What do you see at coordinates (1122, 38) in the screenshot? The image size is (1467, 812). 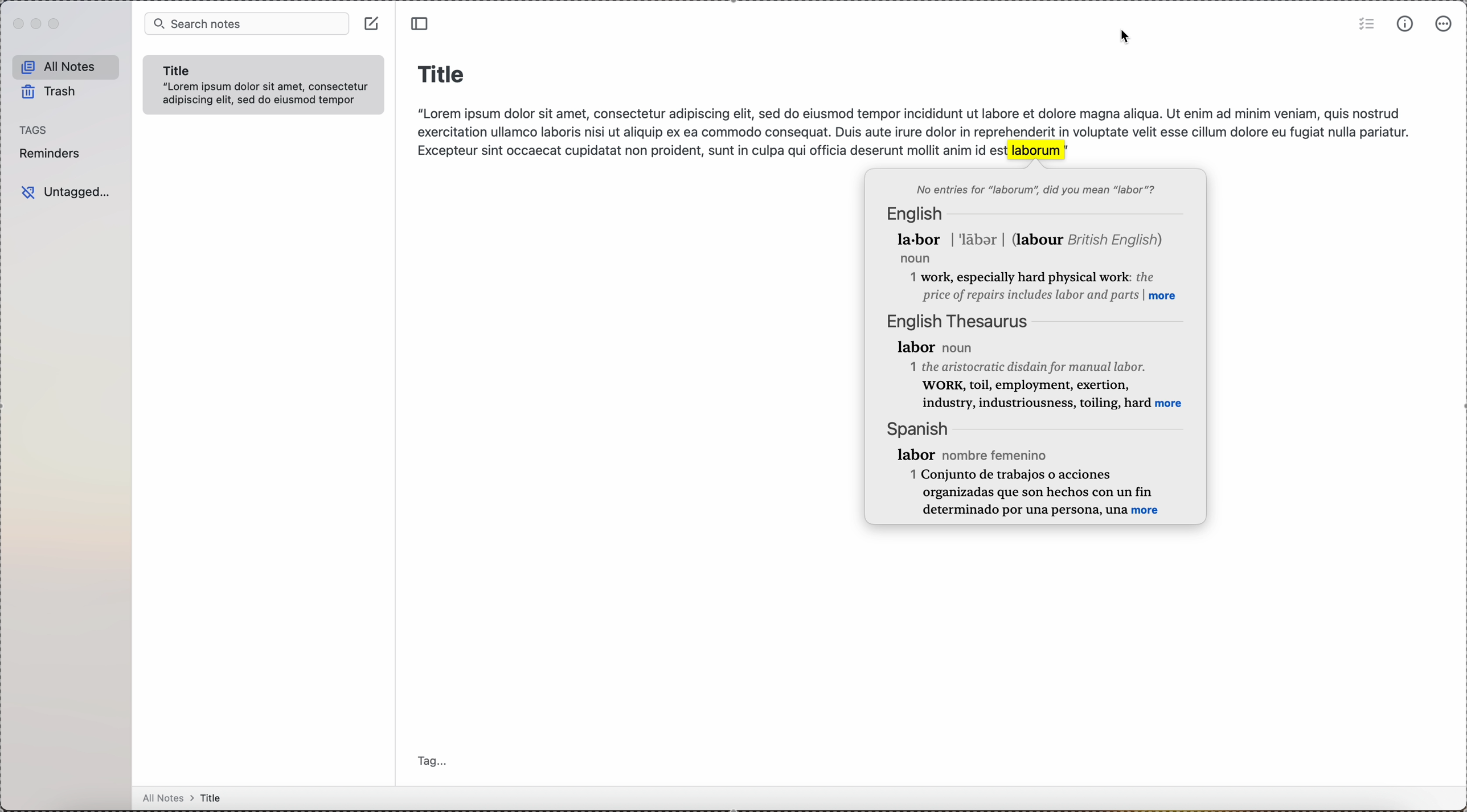 I see `cursor` at bounding box center [1122, 38].